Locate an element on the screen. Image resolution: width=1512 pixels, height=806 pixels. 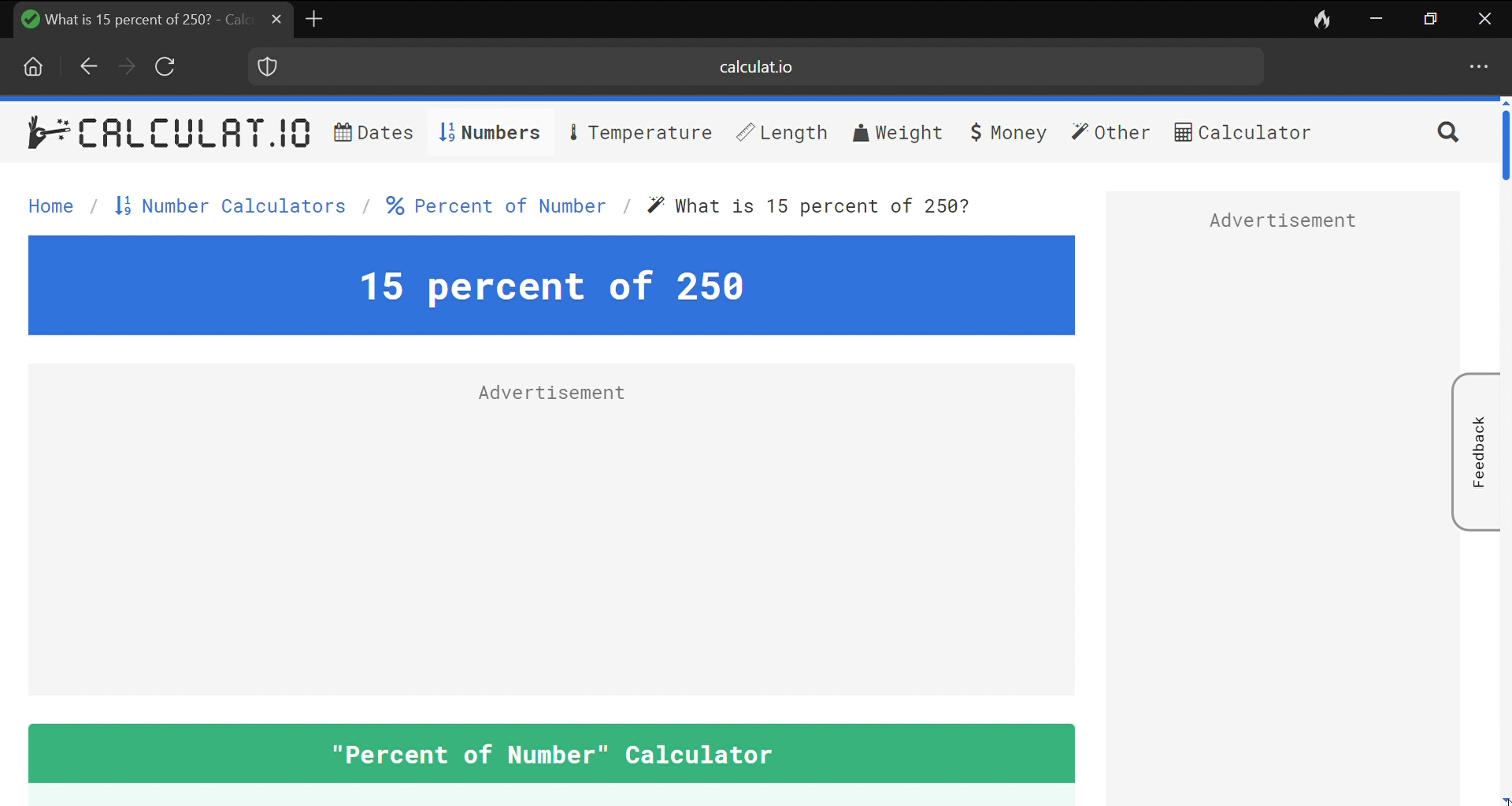
shield logo is located at coordinates (265, 67).